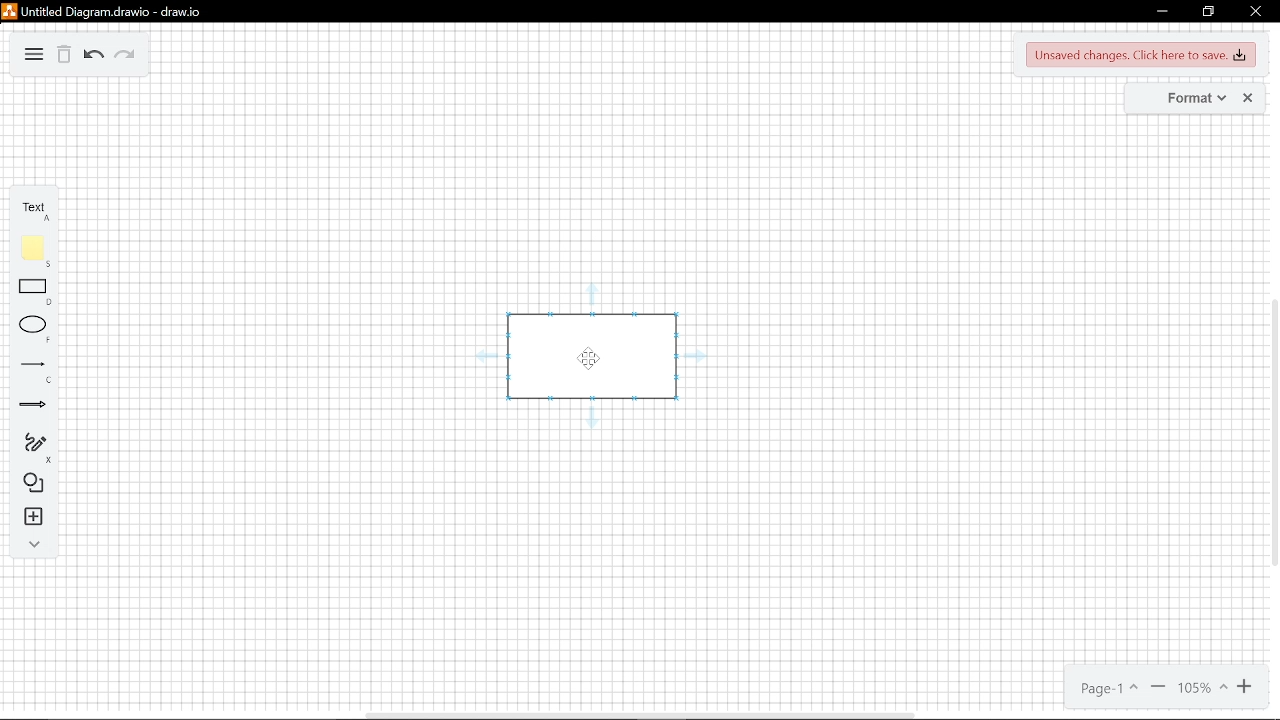  Describe the element at coordinates (38, 251) in the screenshot. I see `note` at that location.